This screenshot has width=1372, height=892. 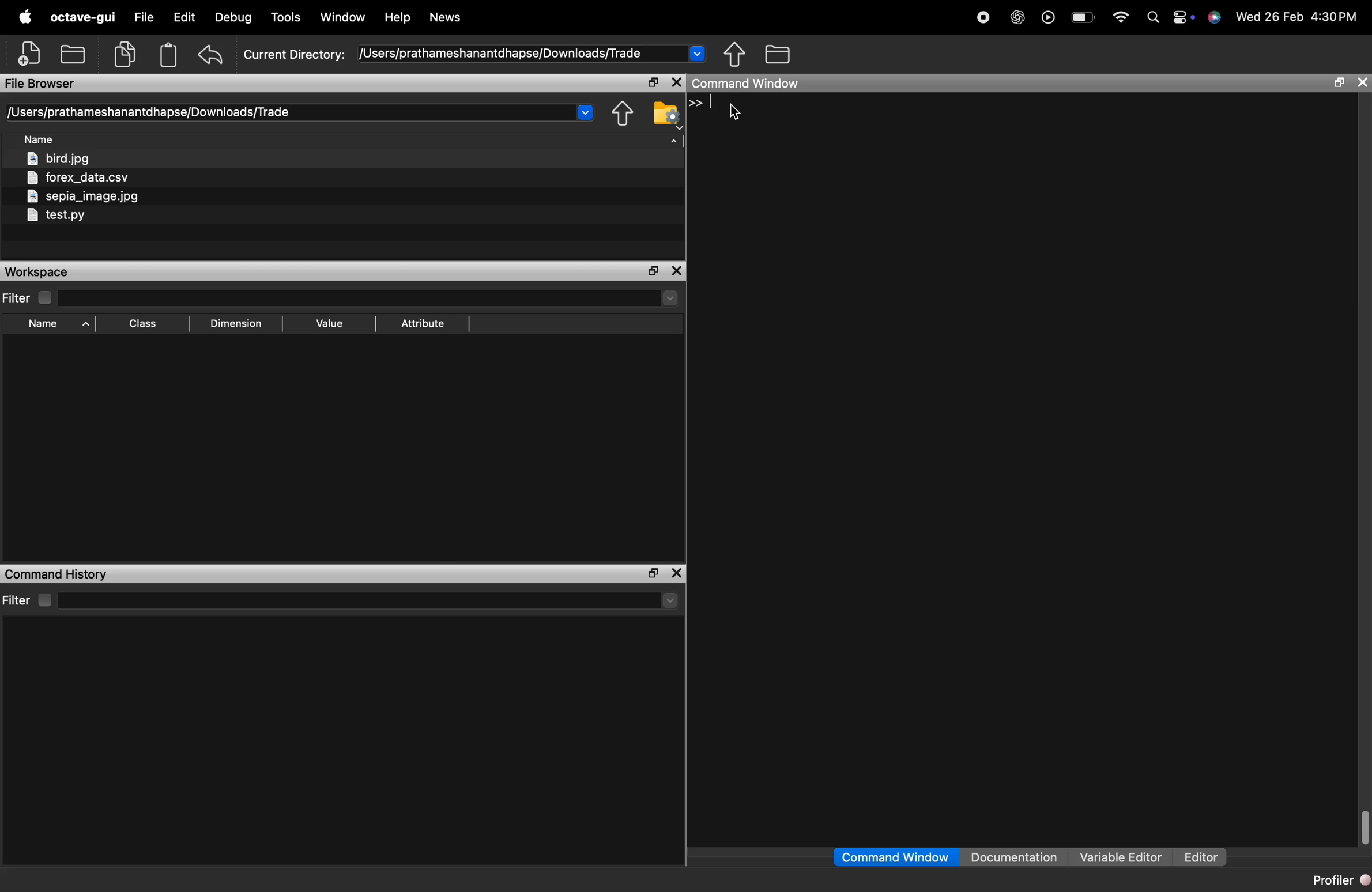 I want to click on  forex_data.csv, so click(x=77, y=177).